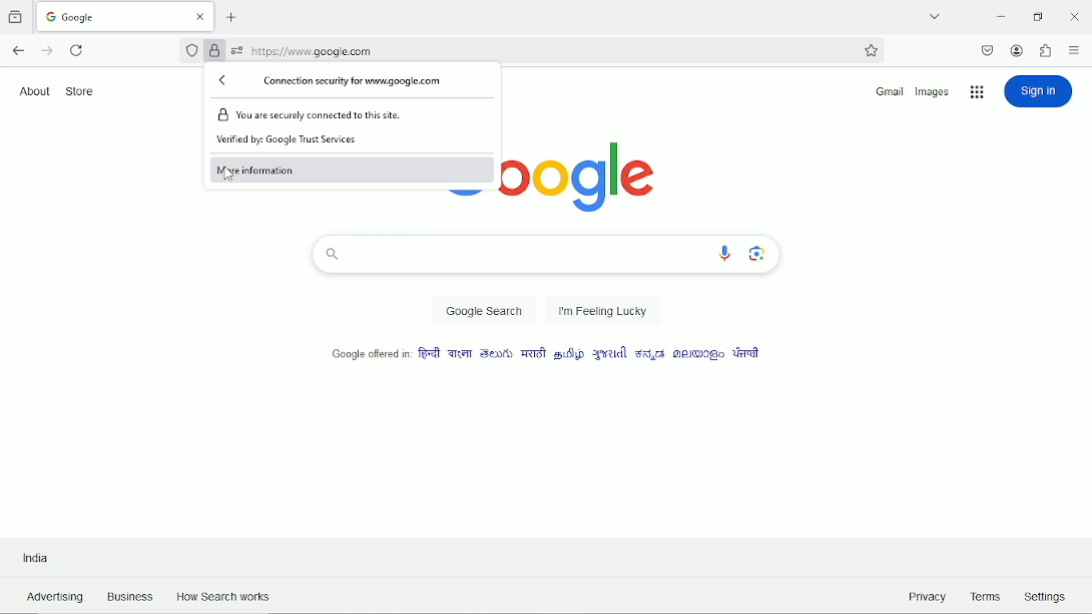 The width and height of the screenshot is (1092, 614). I want to click on Images, so click(935, 92).